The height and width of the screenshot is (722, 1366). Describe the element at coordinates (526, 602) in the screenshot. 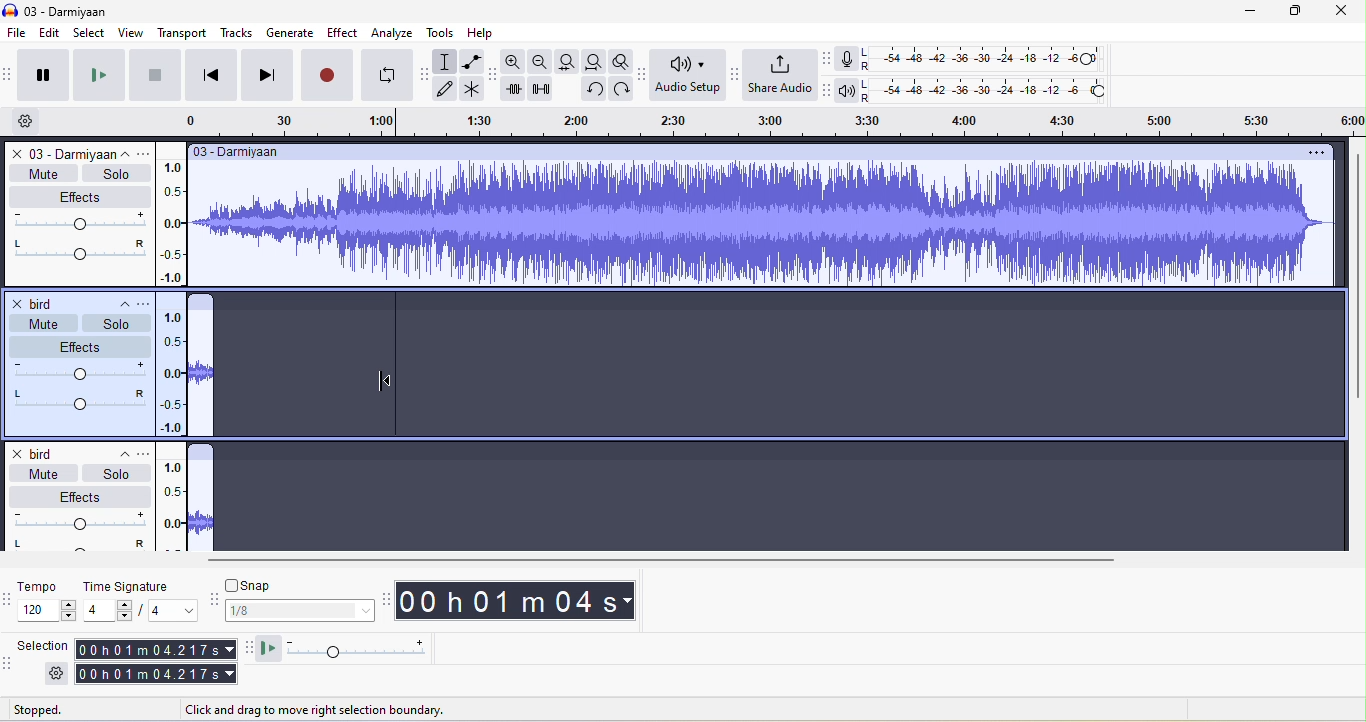

I see `00 h 01 m 04 s` at that location.